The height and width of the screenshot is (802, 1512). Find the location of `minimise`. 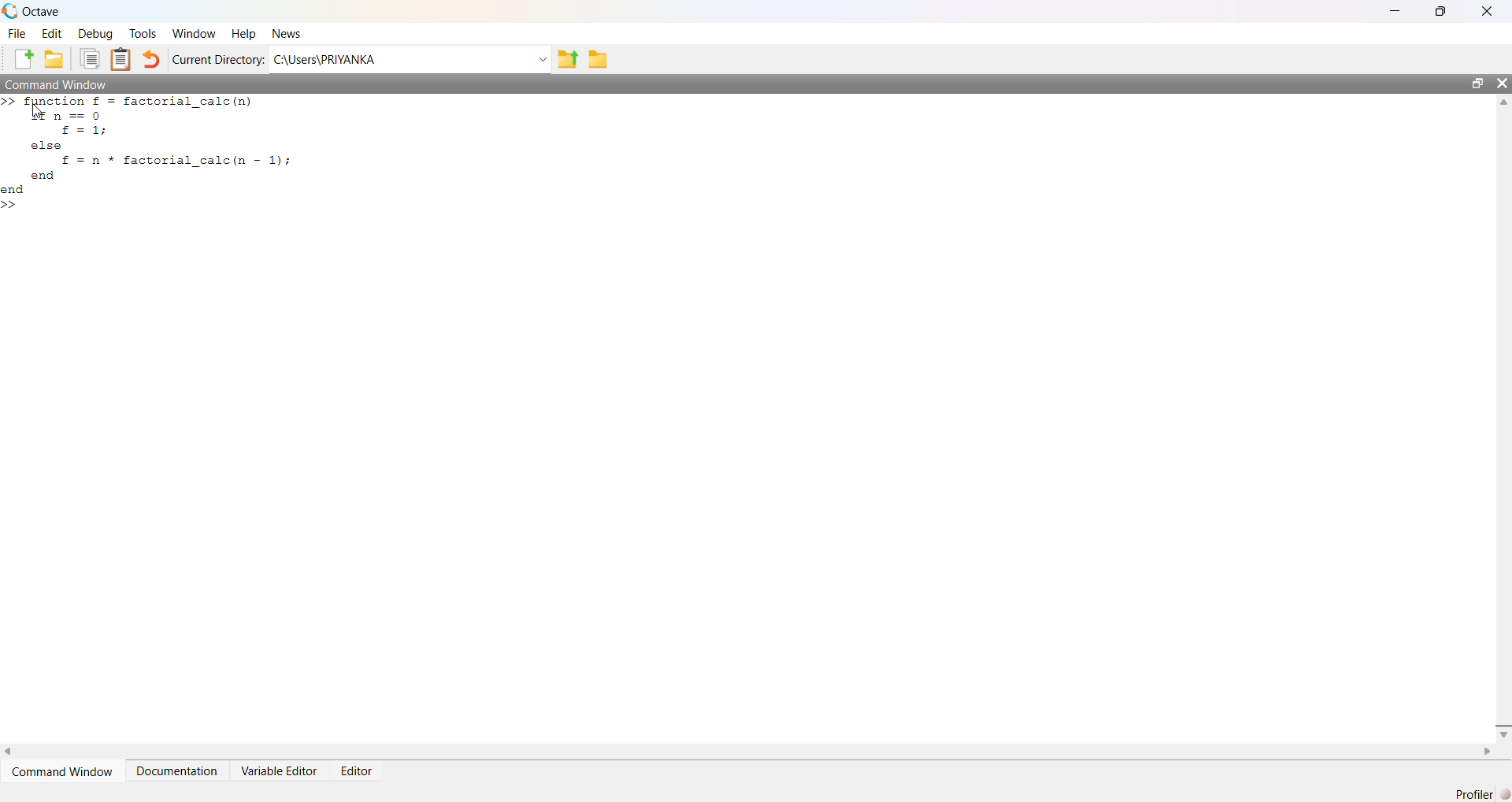

minimise is located at coordinates (1397, 9).